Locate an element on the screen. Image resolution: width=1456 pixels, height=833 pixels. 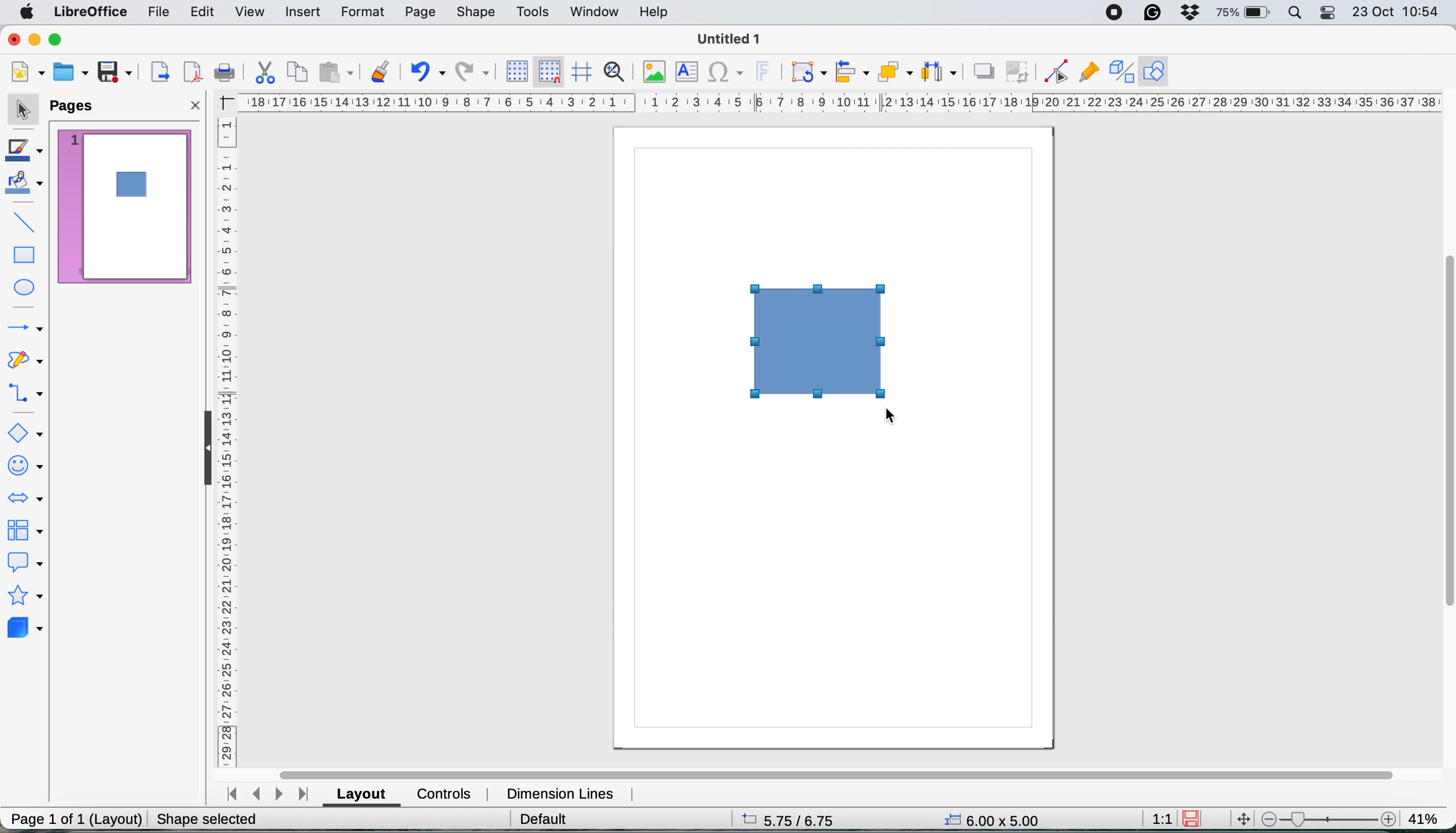
close is located at coordinates (196, 104).